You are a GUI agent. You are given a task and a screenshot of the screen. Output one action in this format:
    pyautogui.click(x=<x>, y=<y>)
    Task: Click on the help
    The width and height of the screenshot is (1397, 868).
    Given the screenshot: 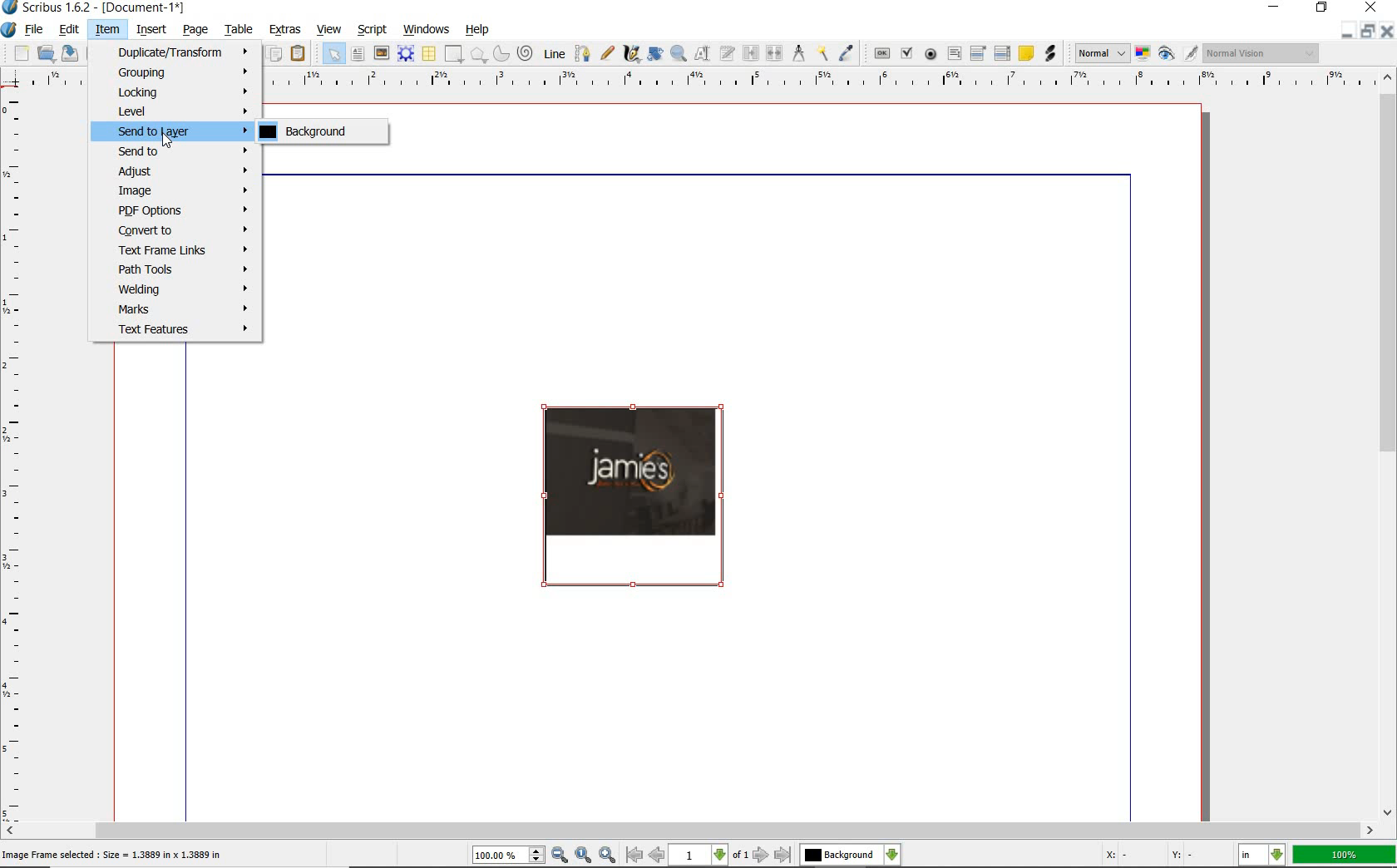 What is the action you would take?
    pyautogui.click(x=476, y=30)
    